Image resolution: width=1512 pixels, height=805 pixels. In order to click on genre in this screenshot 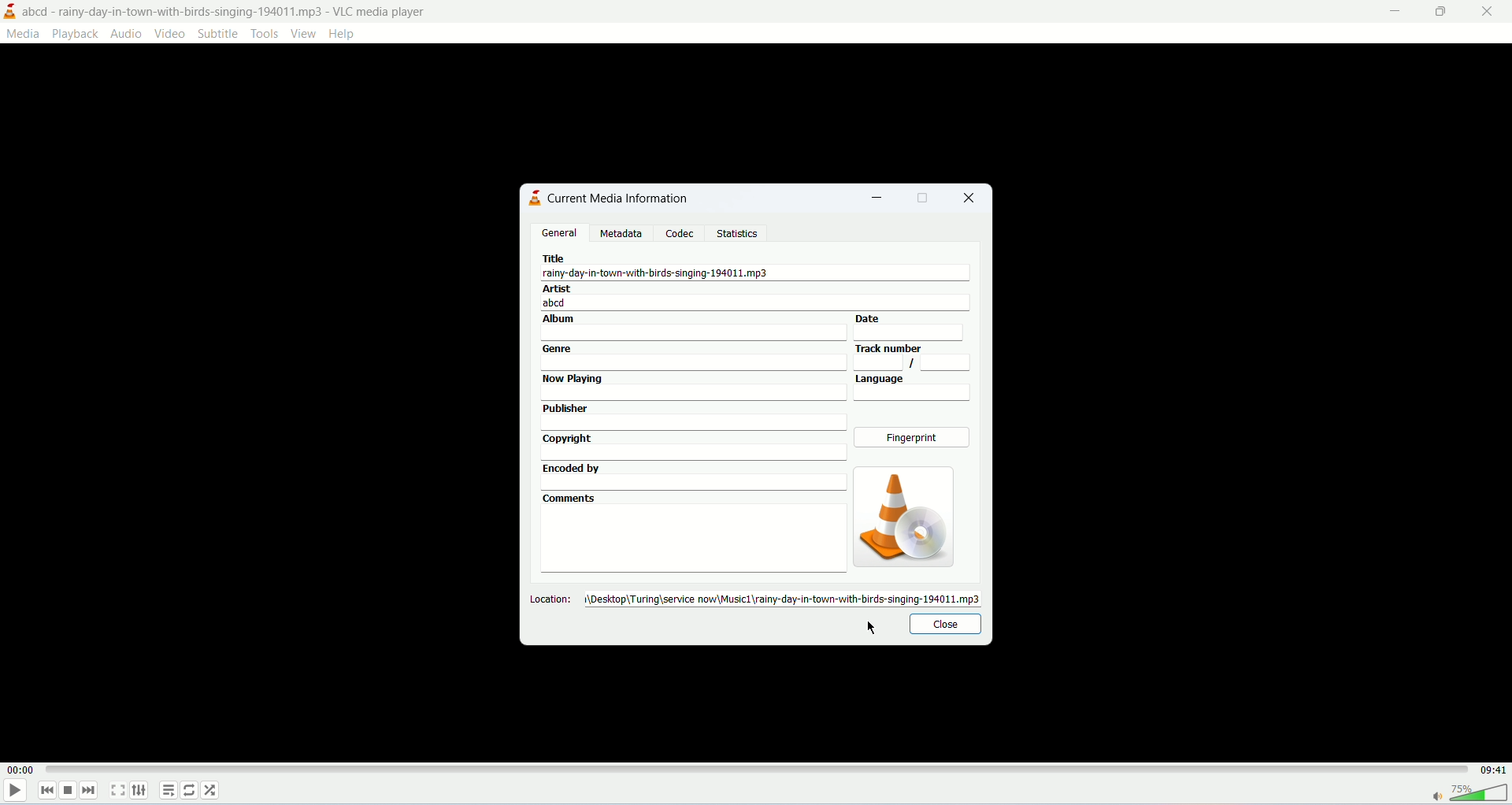, I will do `click(692, 357)`.